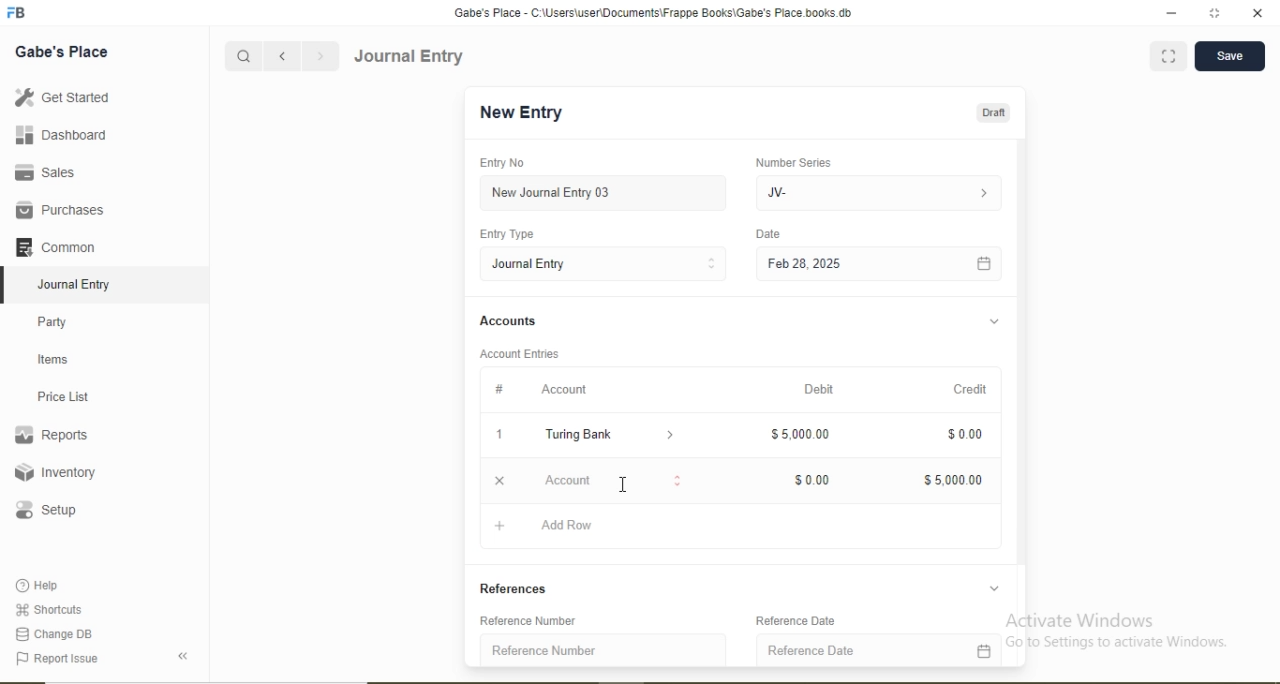 This screenshot has height=684, width=1280. Describe the element at coordinates (793, 163) in the screenshot. I see `Number Series` at that location.